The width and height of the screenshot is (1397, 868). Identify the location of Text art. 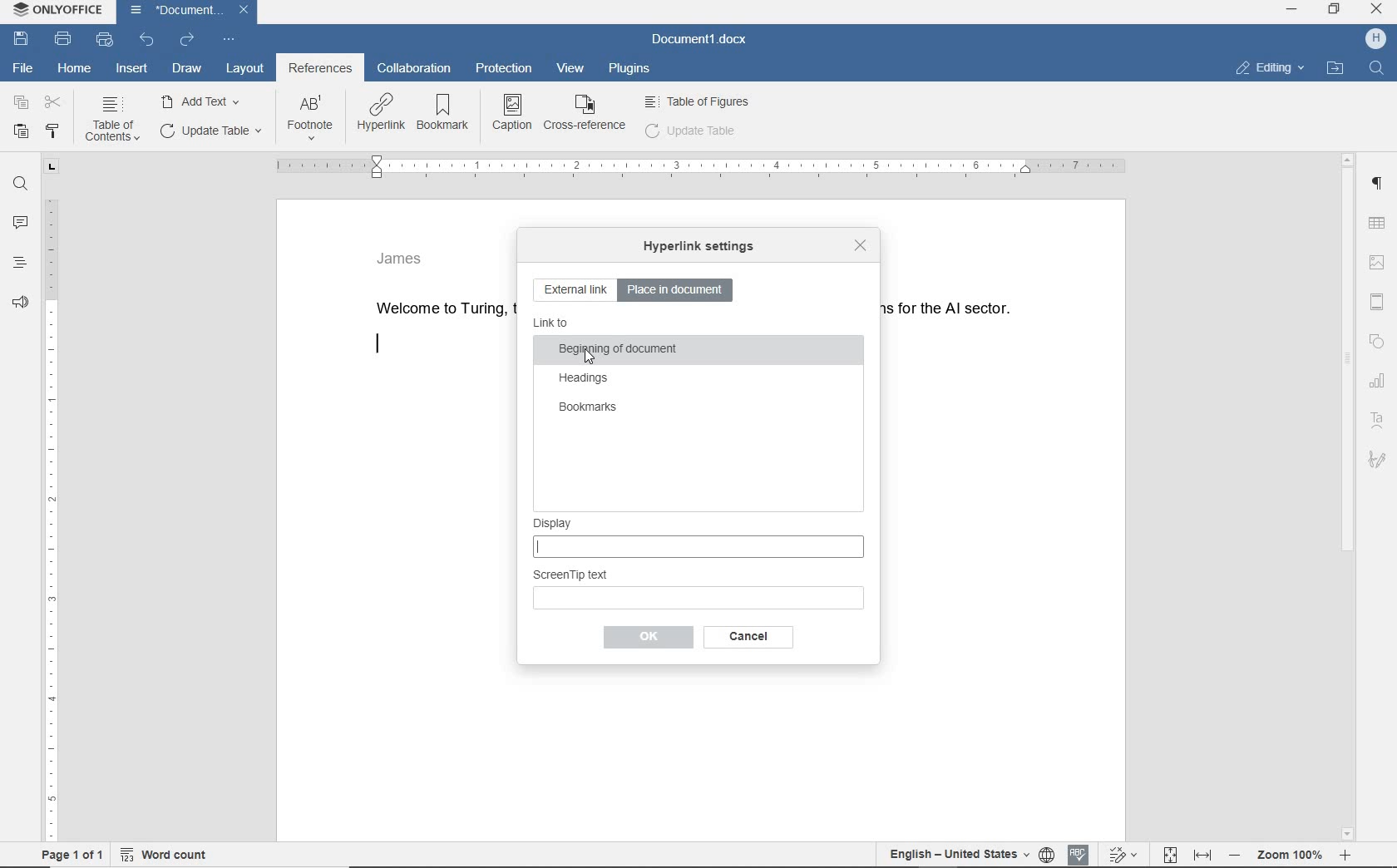
(1381, 419).